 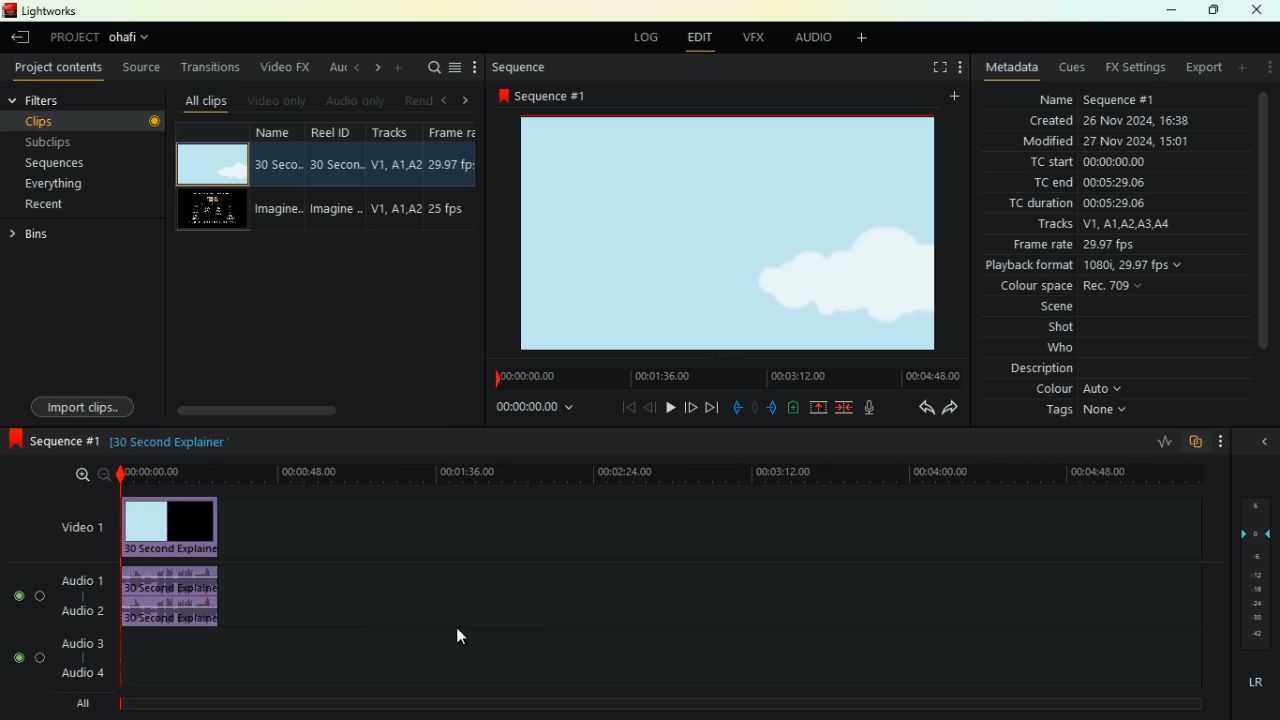 What do you see at coordinates (82, 120) in the screenshot?
I see `clips` at bounding box center [82, 120].